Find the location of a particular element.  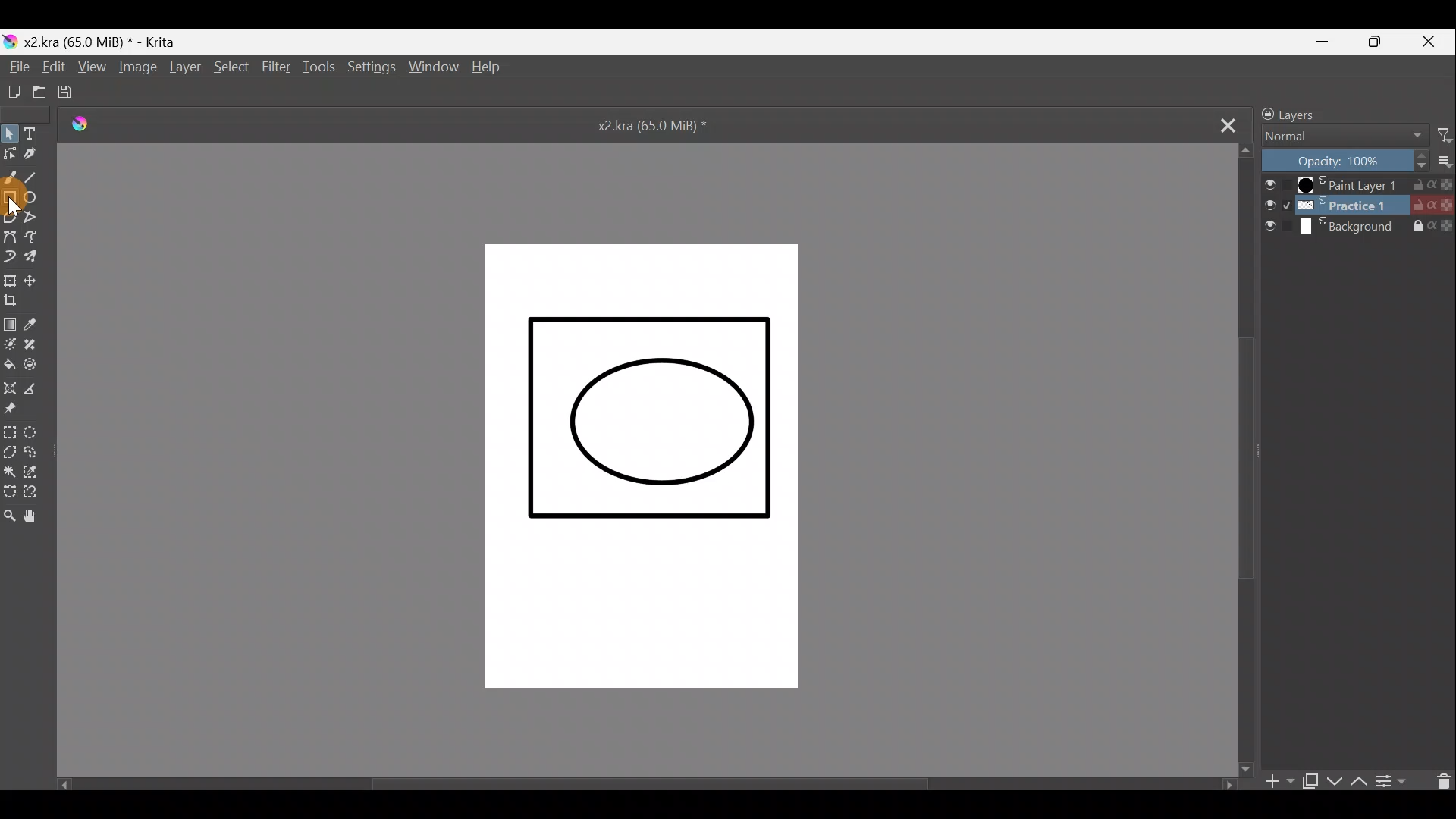

Filter is located at coordinates (277, 69).